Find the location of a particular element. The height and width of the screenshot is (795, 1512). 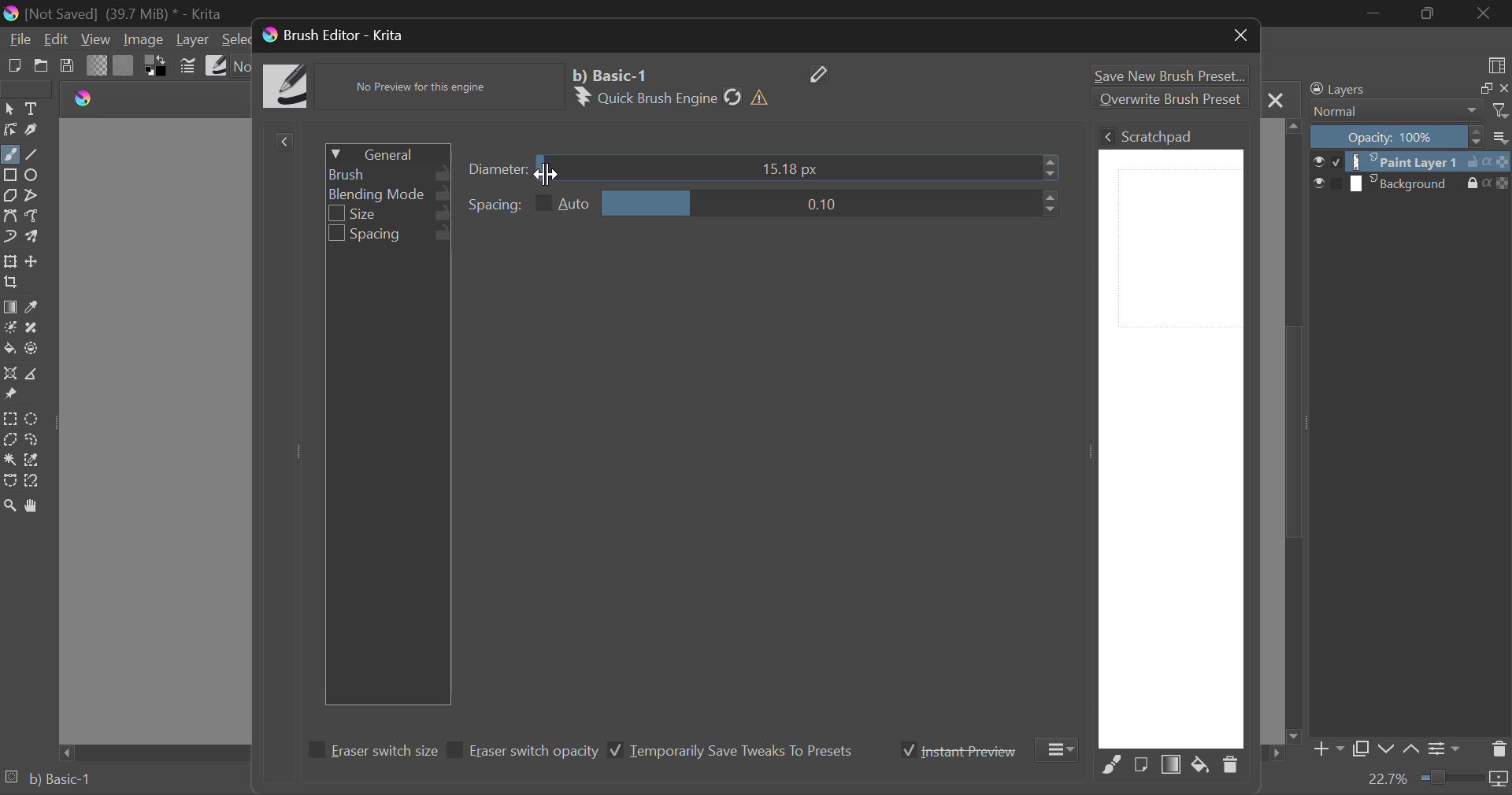

No Preview Available is located at coordinates (425, 87).